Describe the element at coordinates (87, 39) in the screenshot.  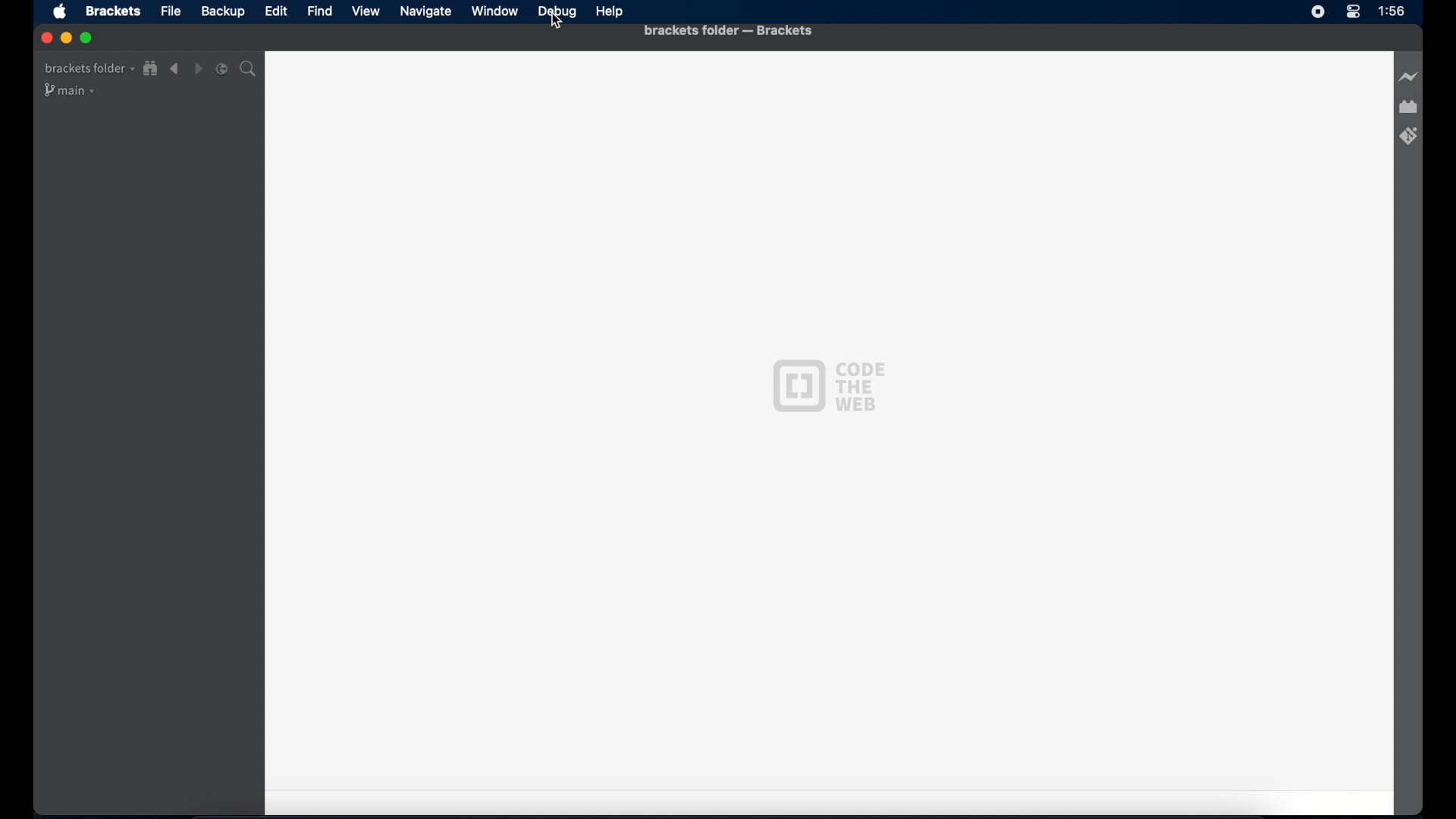
I see `maximize` at that location.